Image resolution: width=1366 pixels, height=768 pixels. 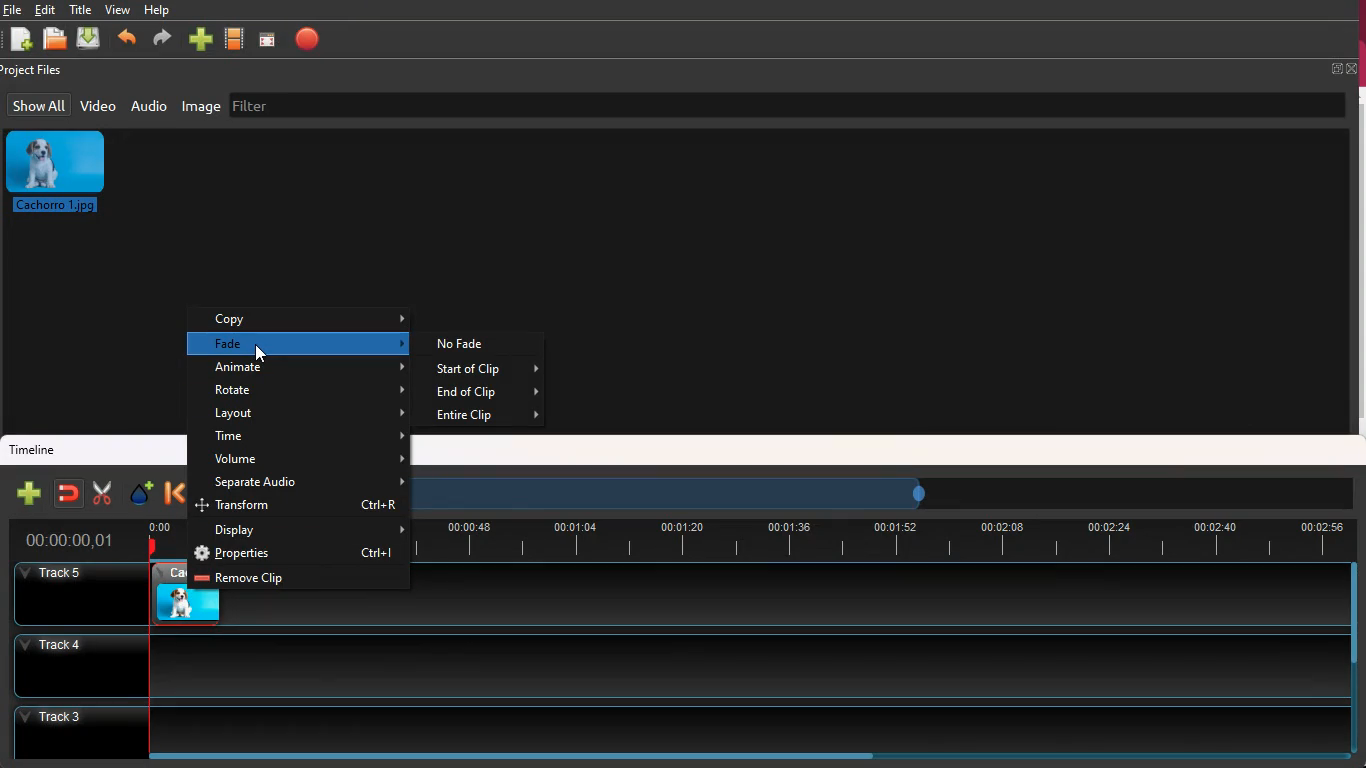 I want to click on help, so click(x=161, y=10).